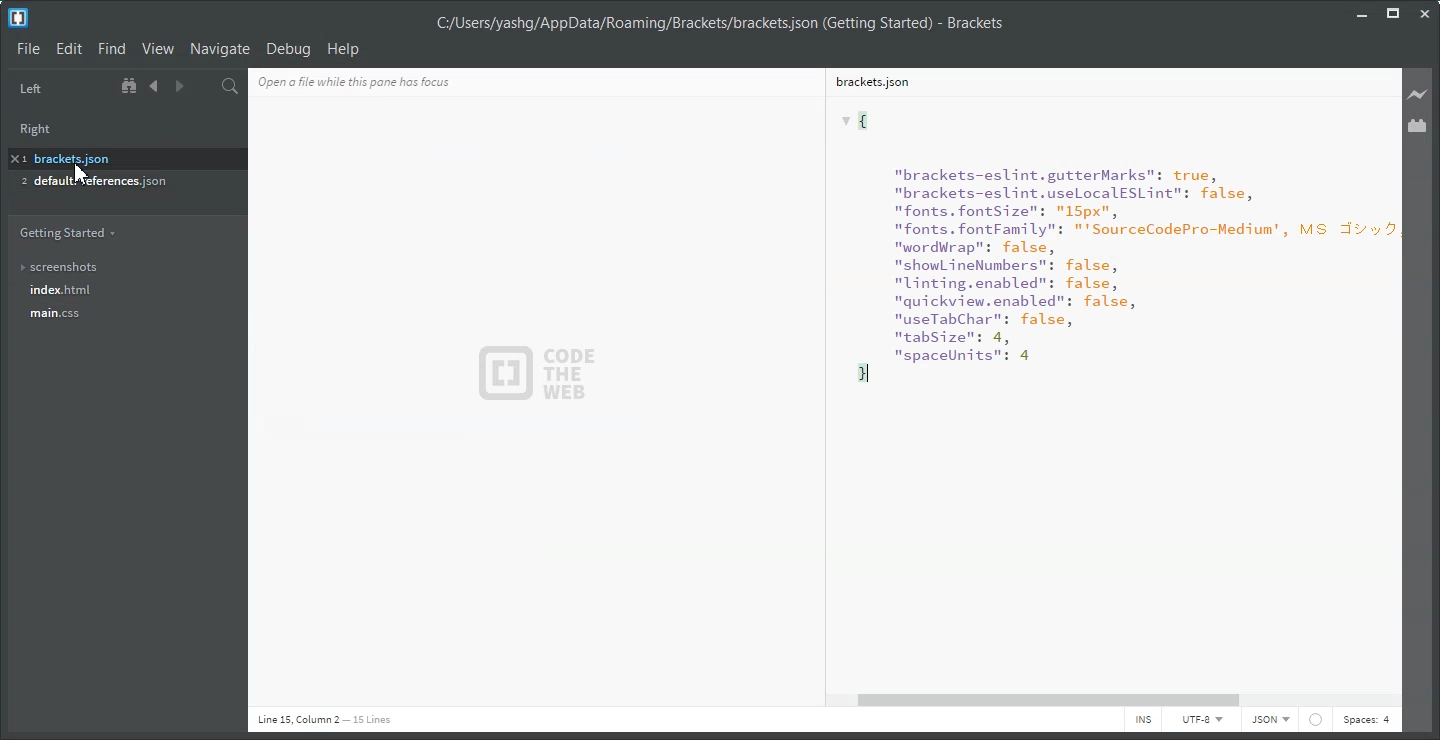 Image resolution: width=1440 pixels, height=740 pixels. I want to click on defaultpreferences.json, so click(114, 183).